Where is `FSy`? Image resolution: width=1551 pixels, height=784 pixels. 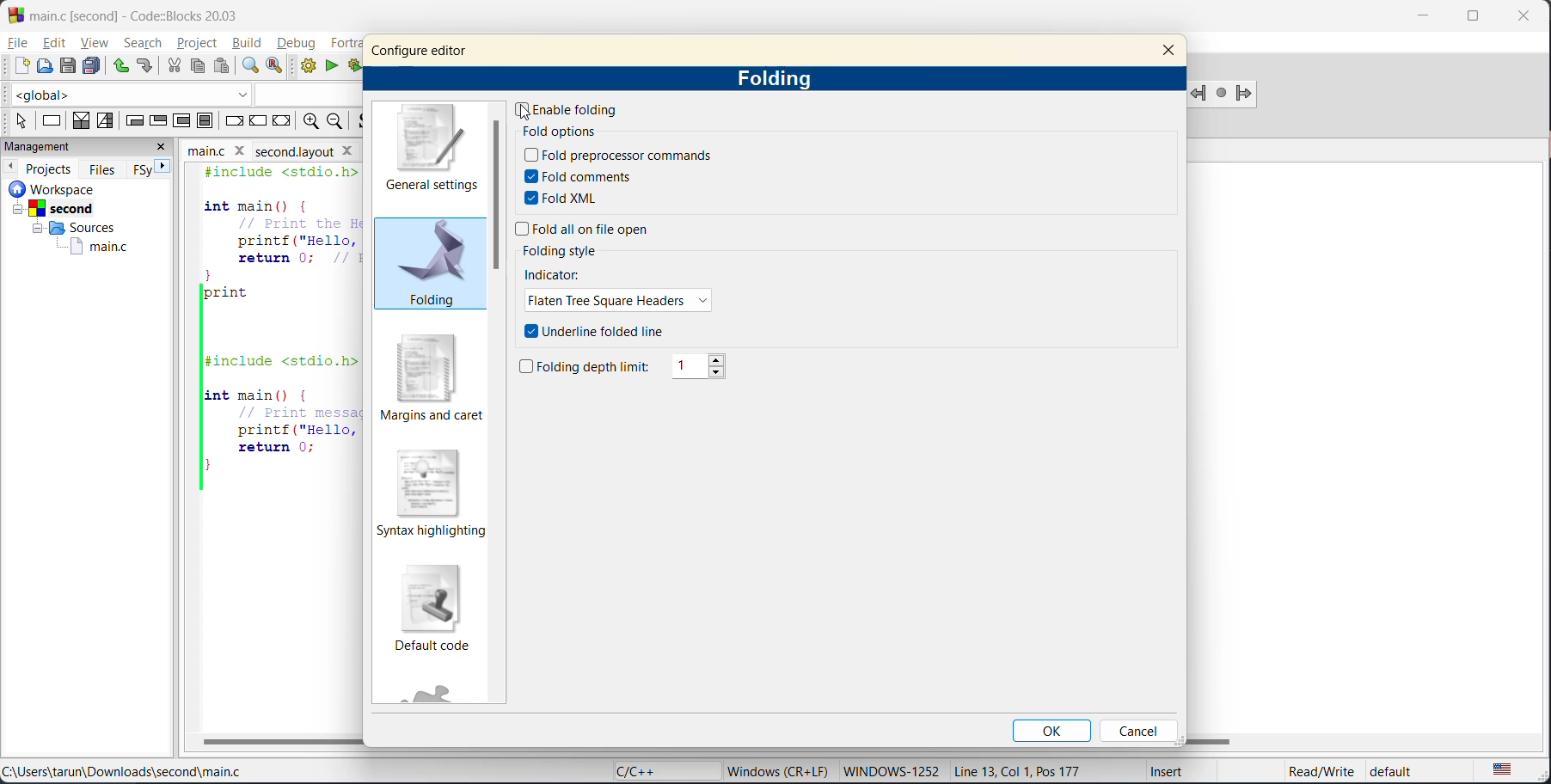
FSy is located at coordinates (144, 168).